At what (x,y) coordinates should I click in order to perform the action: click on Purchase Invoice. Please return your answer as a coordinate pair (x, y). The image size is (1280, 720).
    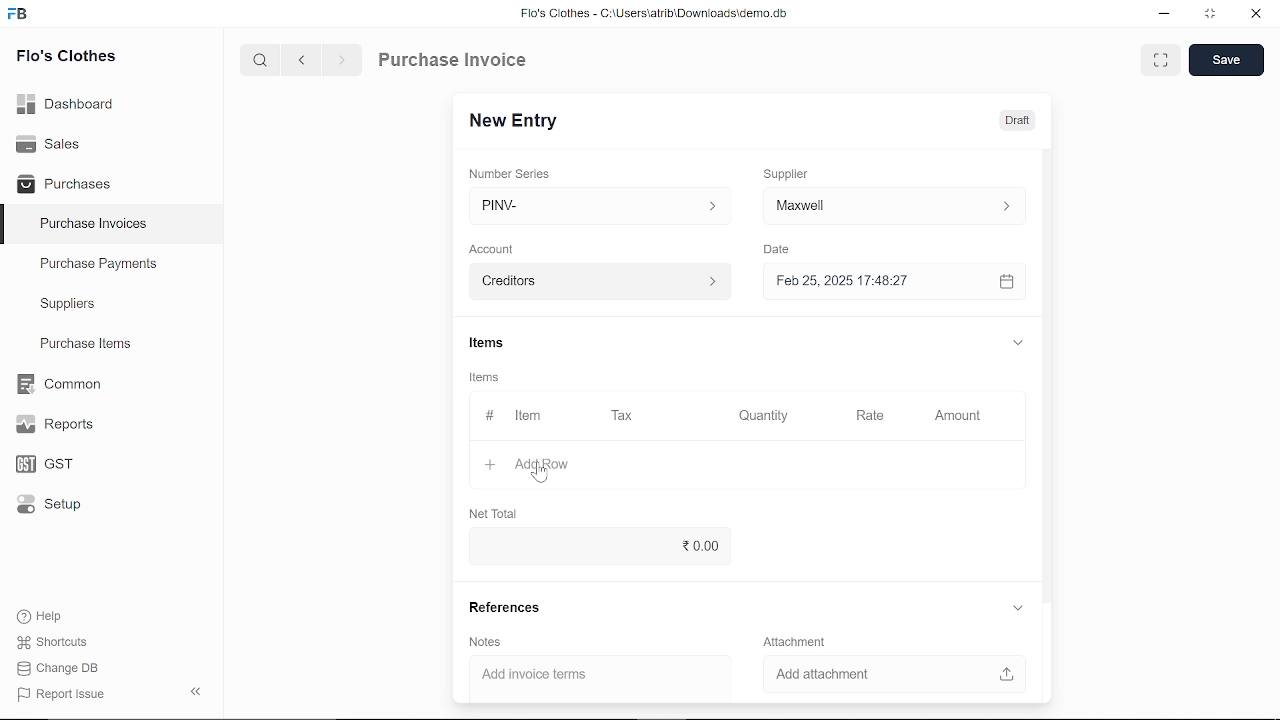
    Looking at the image, I should click on (456, 62).